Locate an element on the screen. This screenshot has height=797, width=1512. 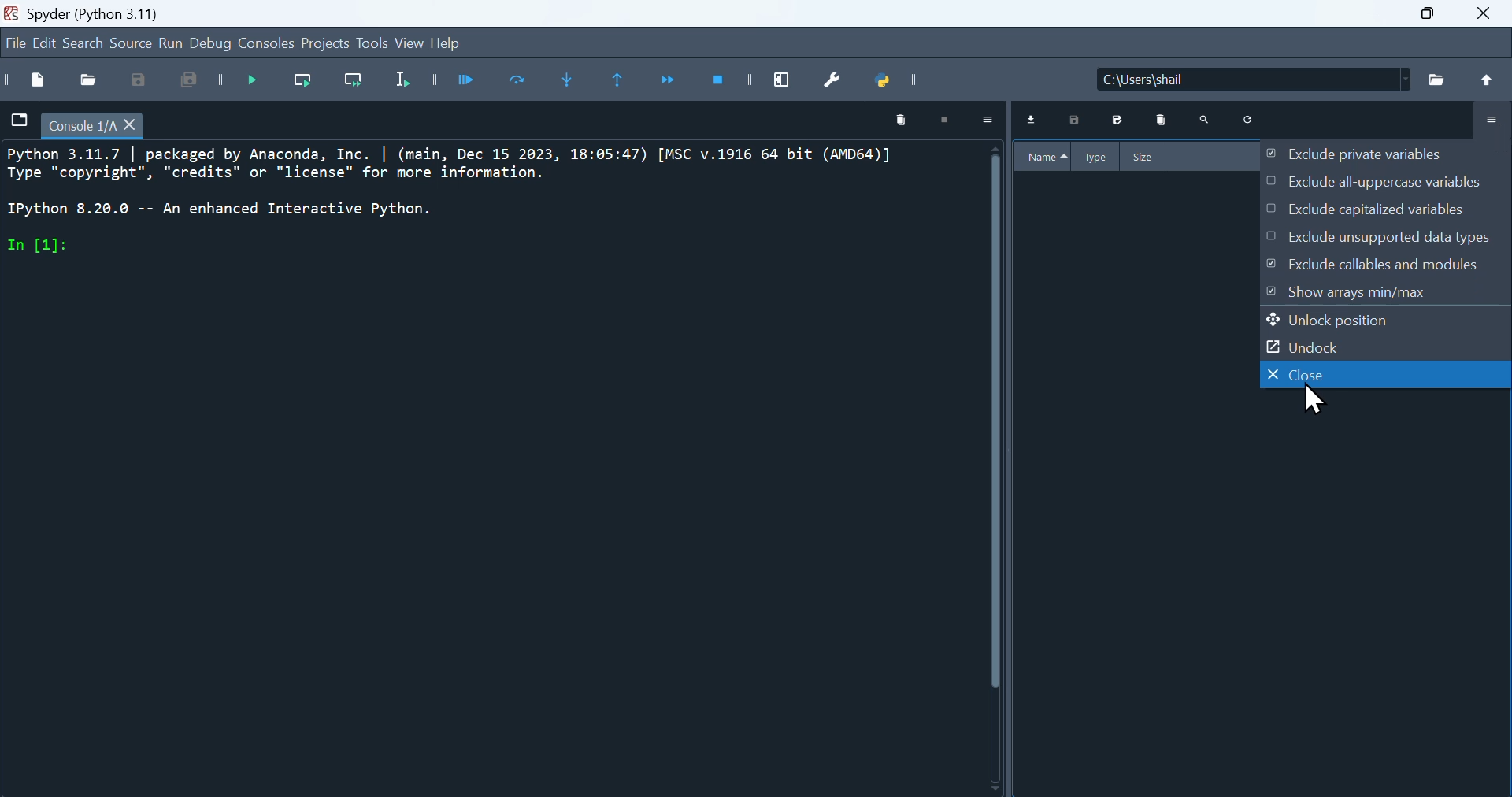
Close is located at coordinates (1336, 389).